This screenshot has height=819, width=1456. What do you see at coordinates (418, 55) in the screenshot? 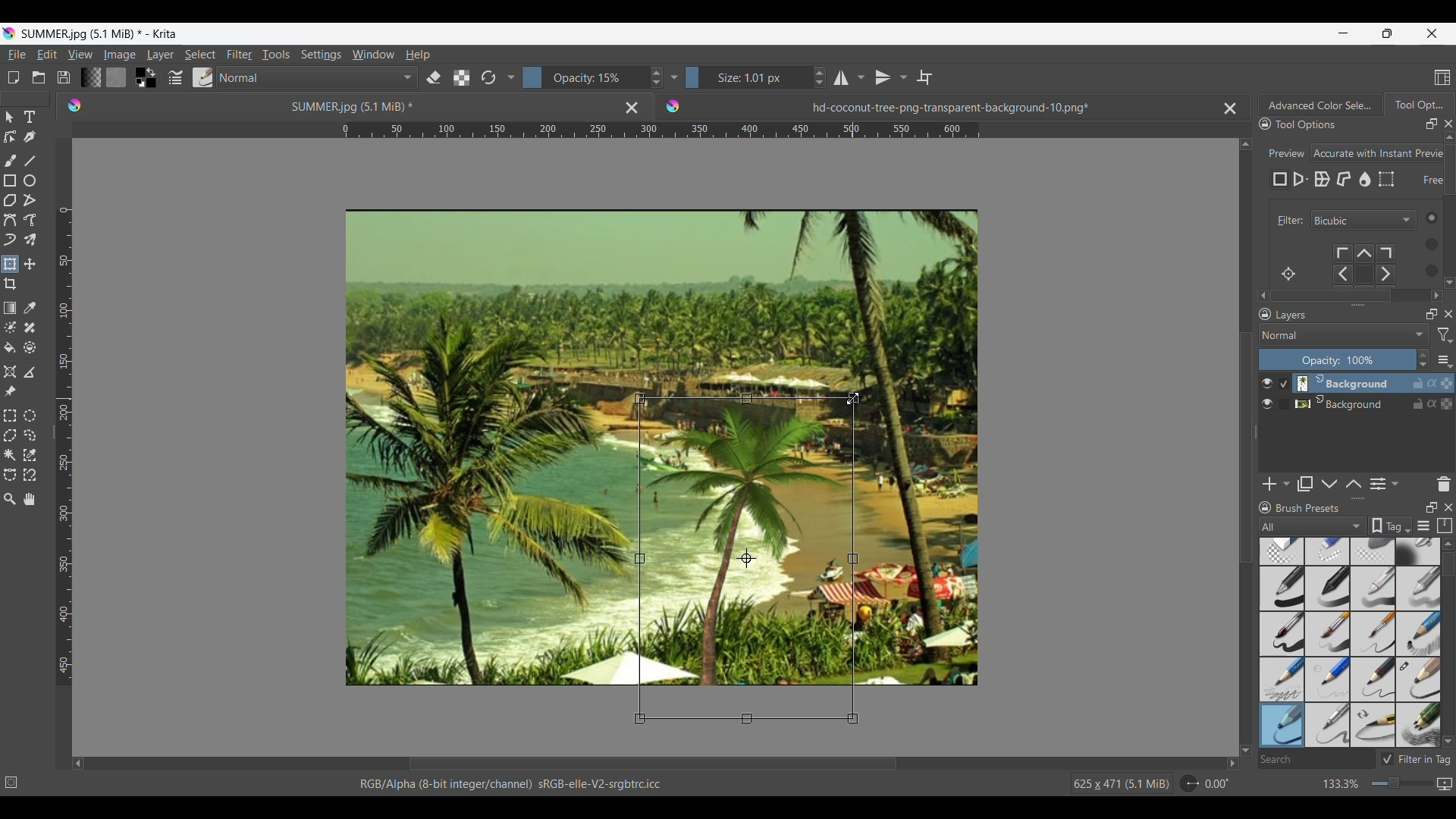
I see `Help` at bounding box center [418, 55].